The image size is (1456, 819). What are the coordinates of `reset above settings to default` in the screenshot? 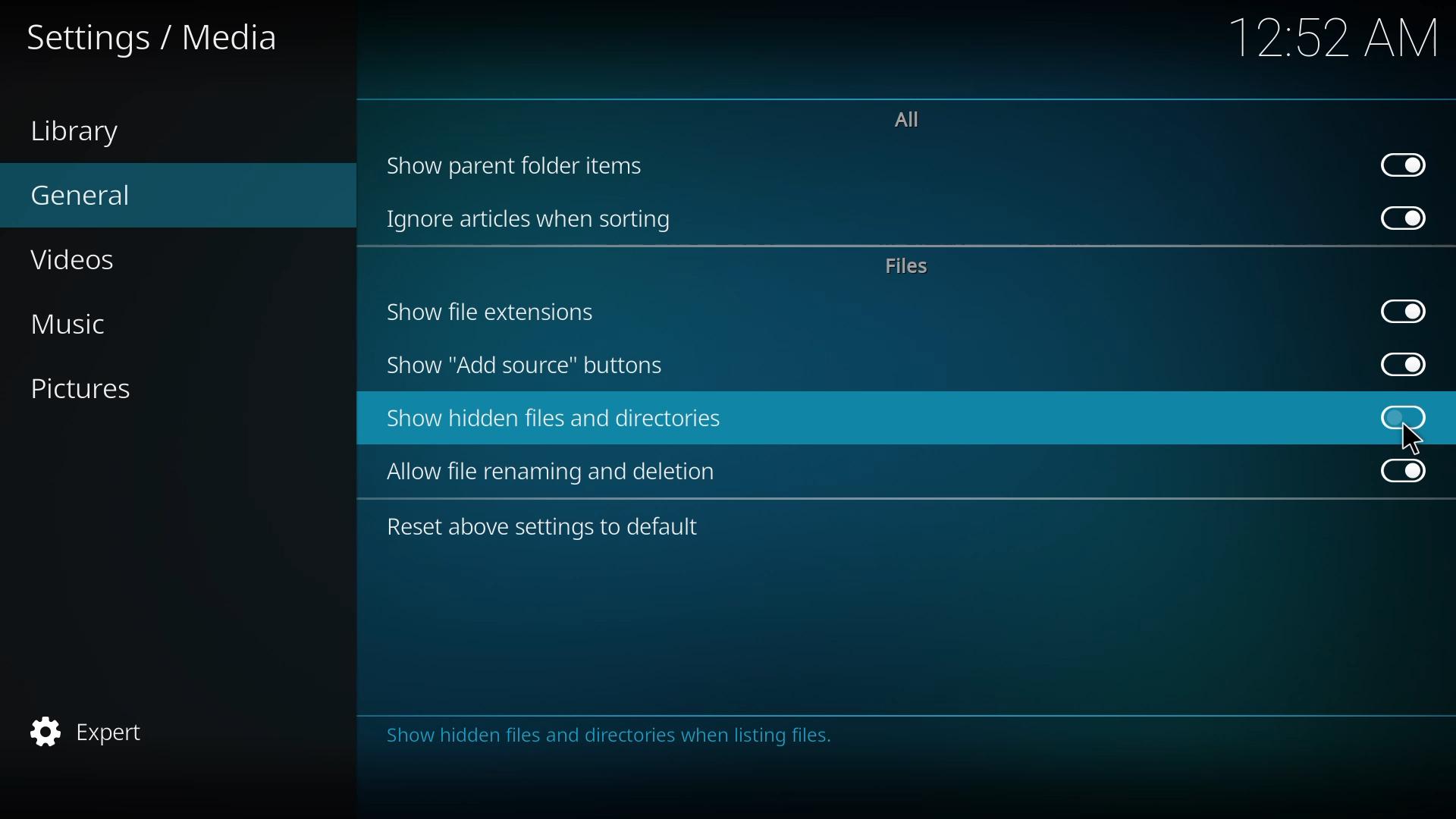 It's located at (546, 529).